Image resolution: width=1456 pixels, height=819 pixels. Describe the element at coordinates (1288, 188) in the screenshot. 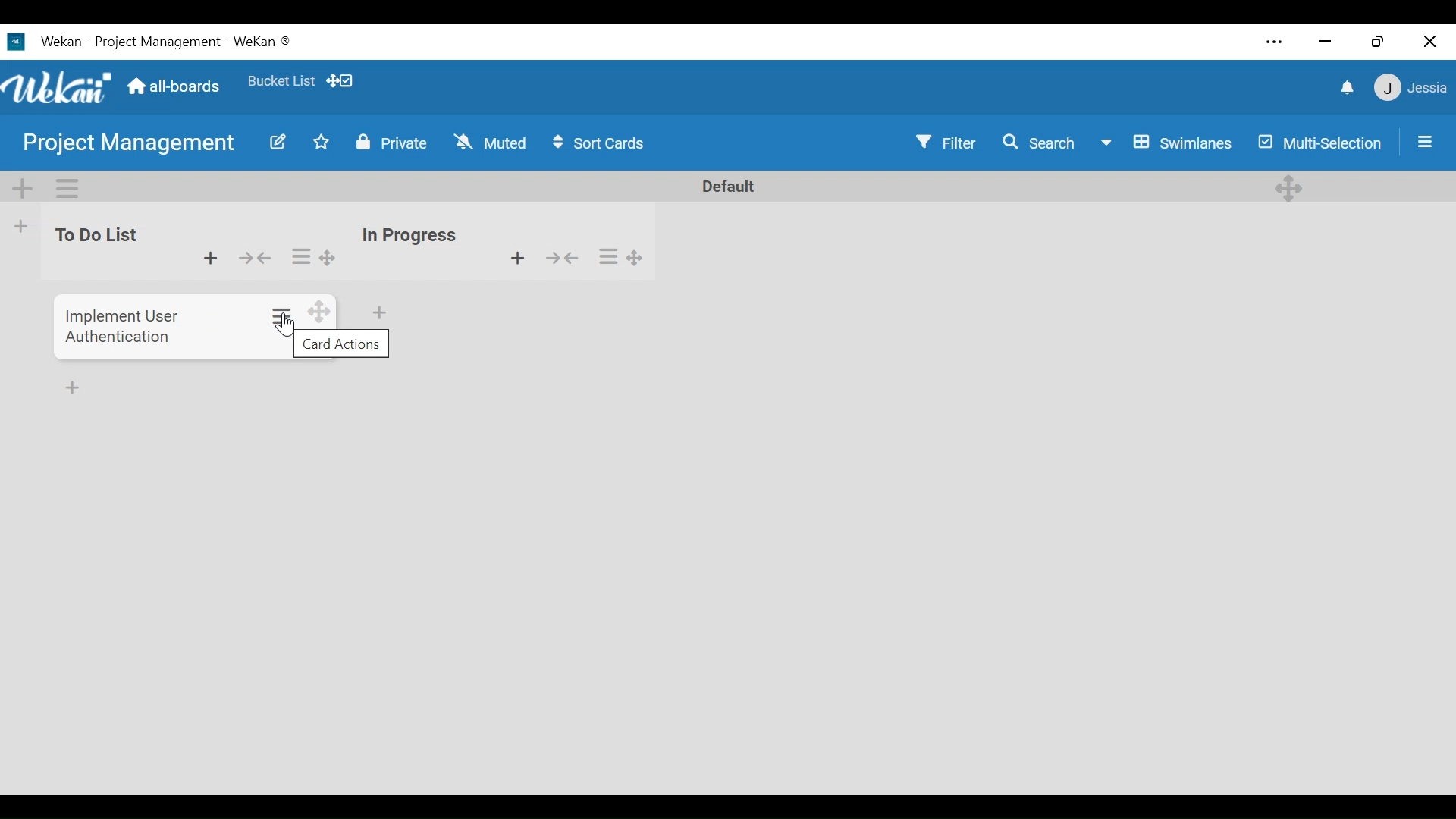

I see `desktop drag handles` at that location.